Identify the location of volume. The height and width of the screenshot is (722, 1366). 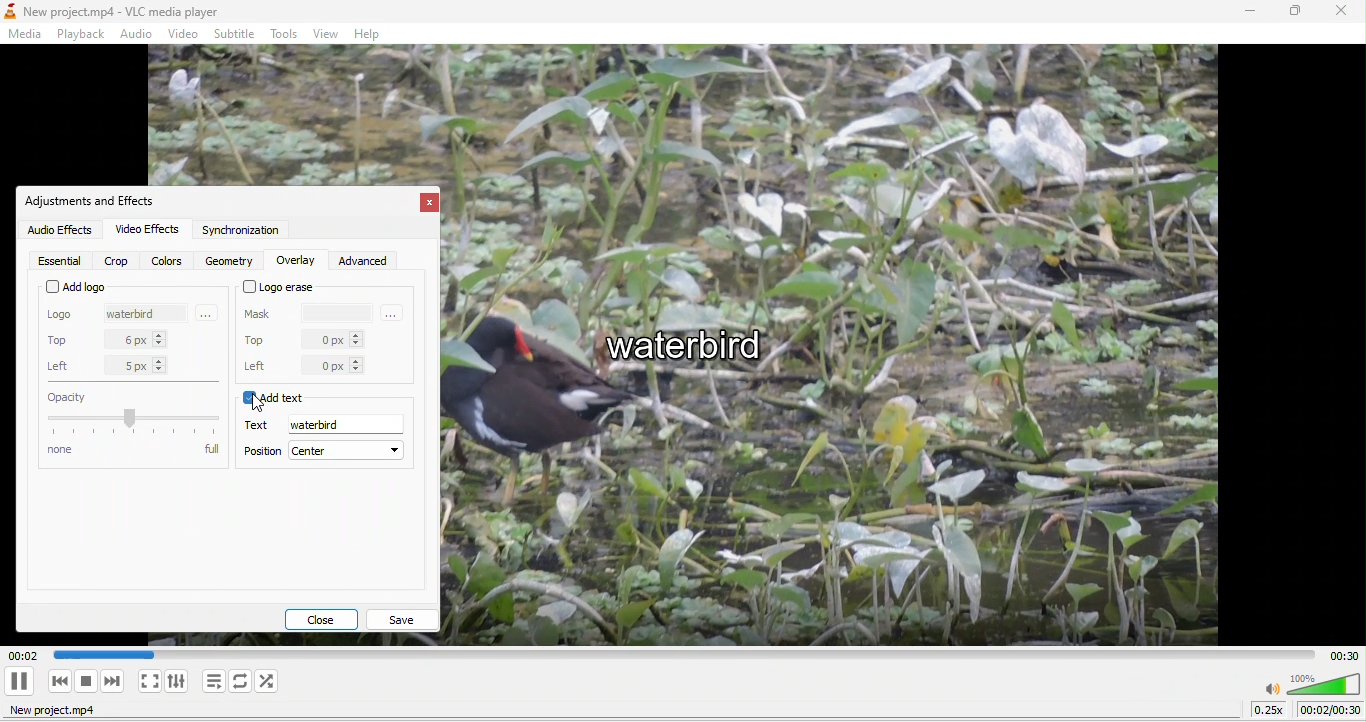
(1312, 682).